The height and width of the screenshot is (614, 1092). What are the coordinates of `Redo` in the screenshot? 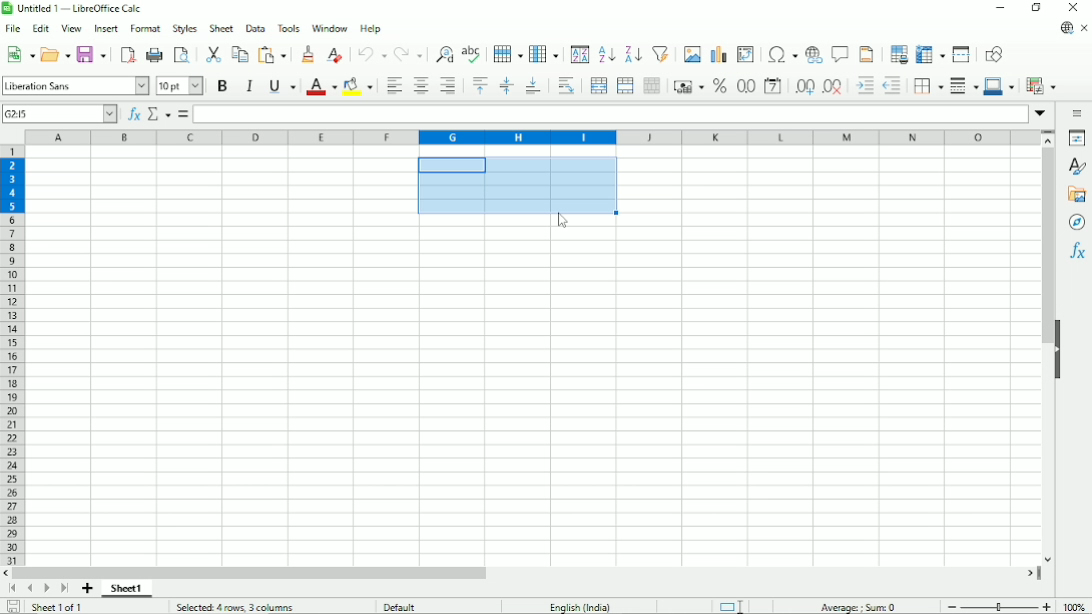 It's located at (407, 53).